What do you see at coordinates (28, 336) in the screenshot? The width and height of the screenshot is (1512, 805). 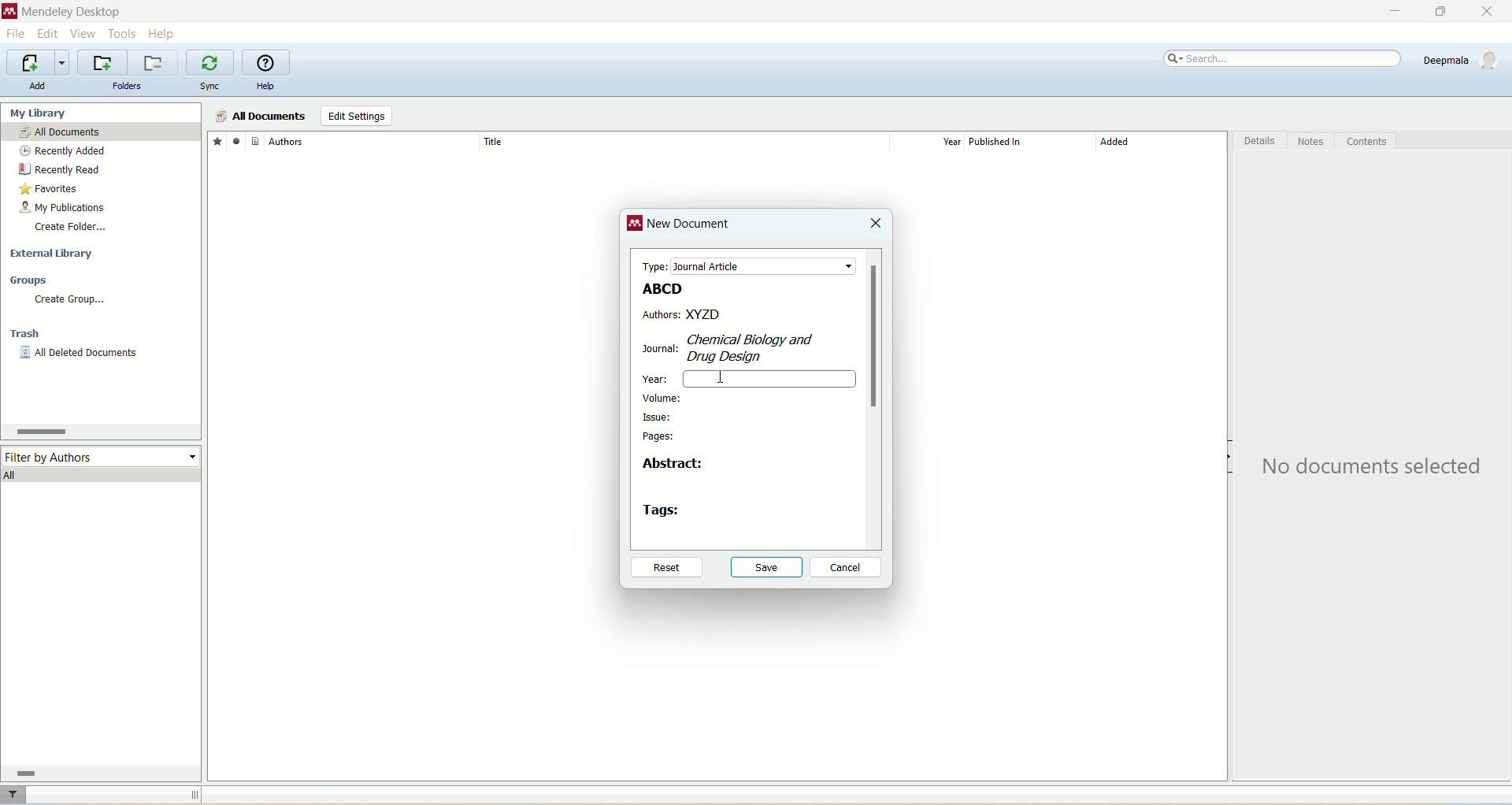 I see `trash` at bounding box center [28, 336].